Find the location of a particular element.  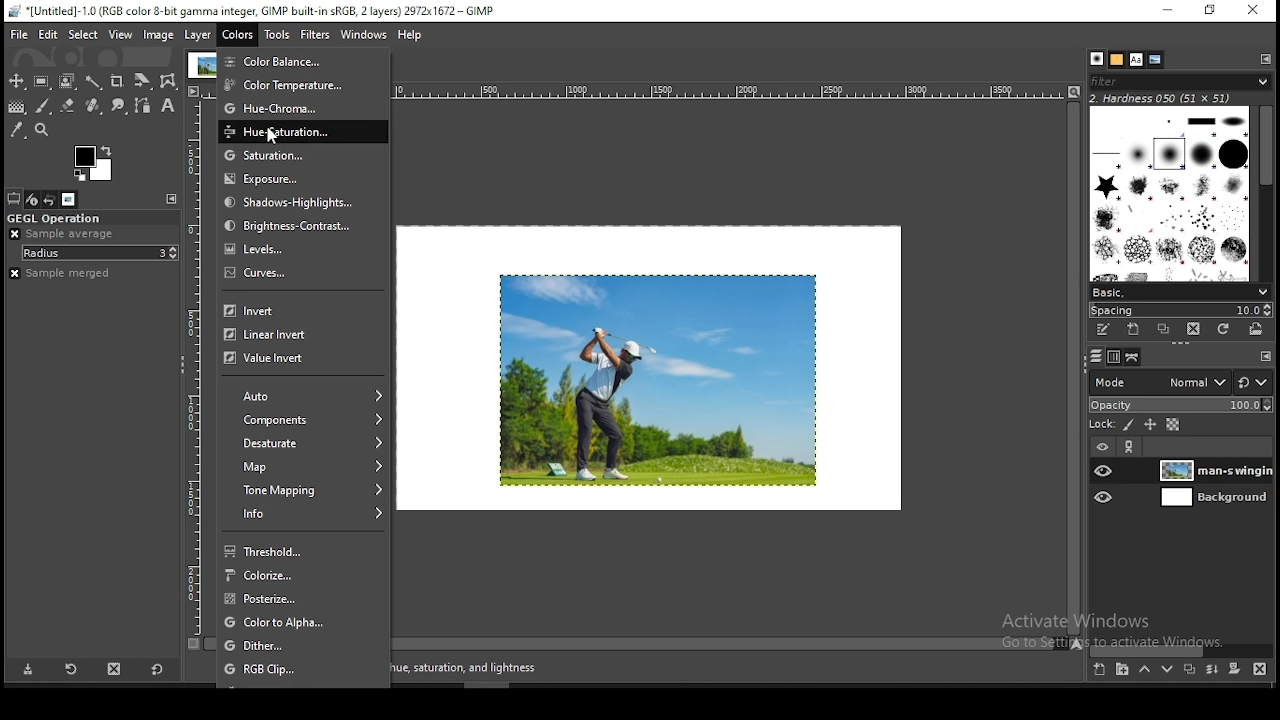

blend mode is located at coordinates (1181, 382).